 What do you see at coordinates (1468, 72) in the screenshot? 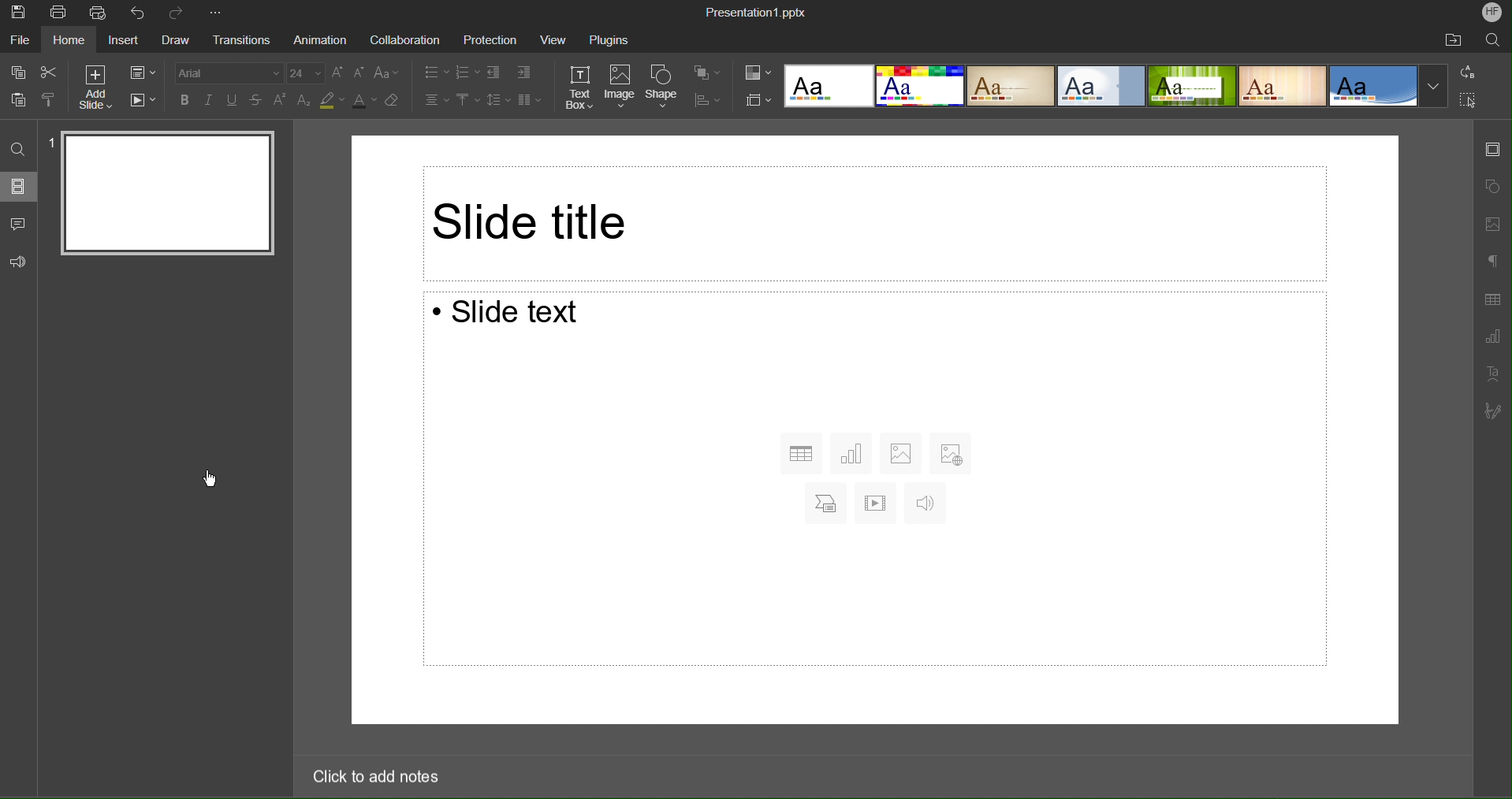
I see `Replace` at bounding box center [1468, 72].